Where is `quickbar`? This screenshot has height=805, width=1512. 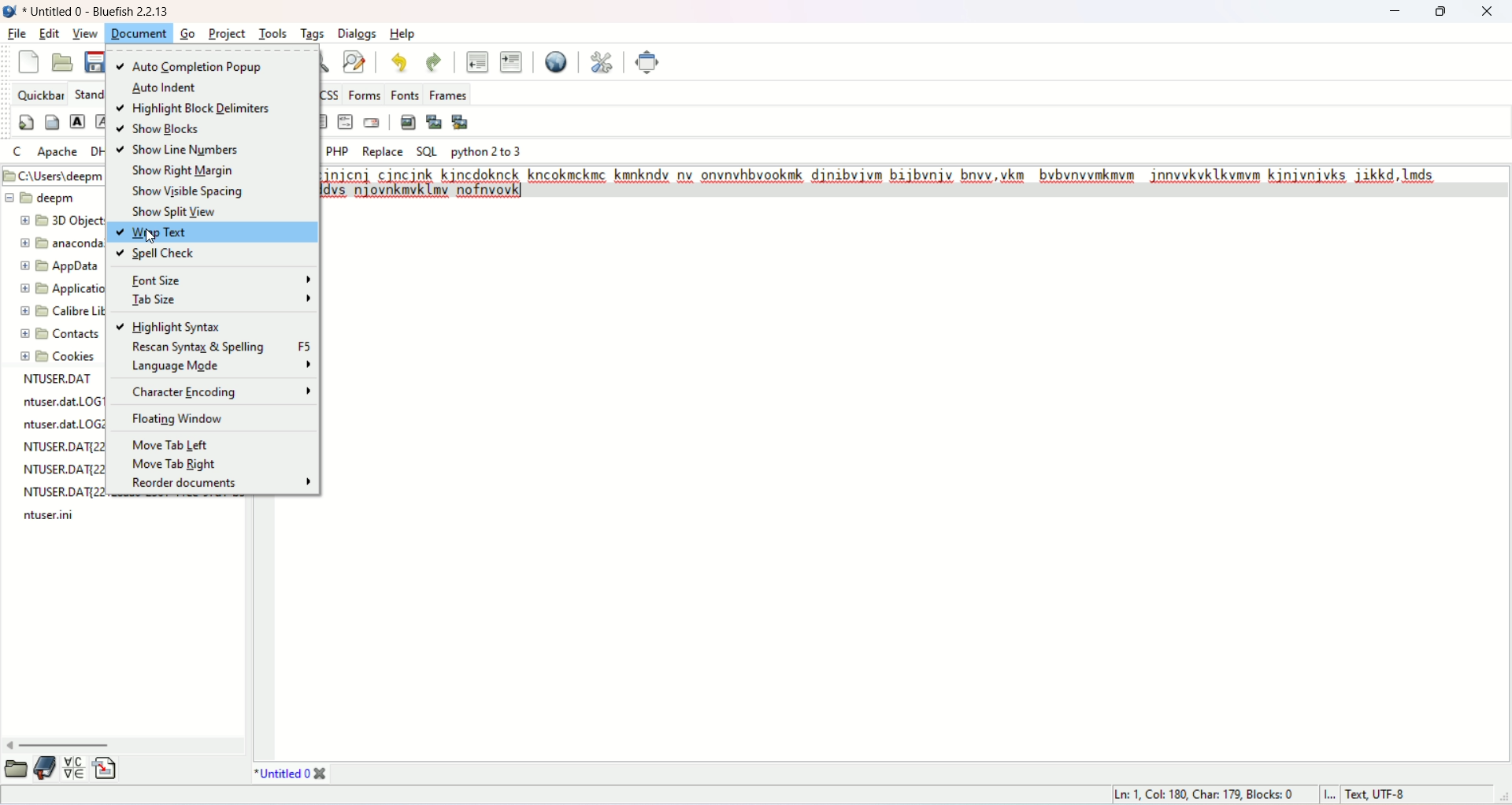
quickbar is located at coordinates (37, 95).